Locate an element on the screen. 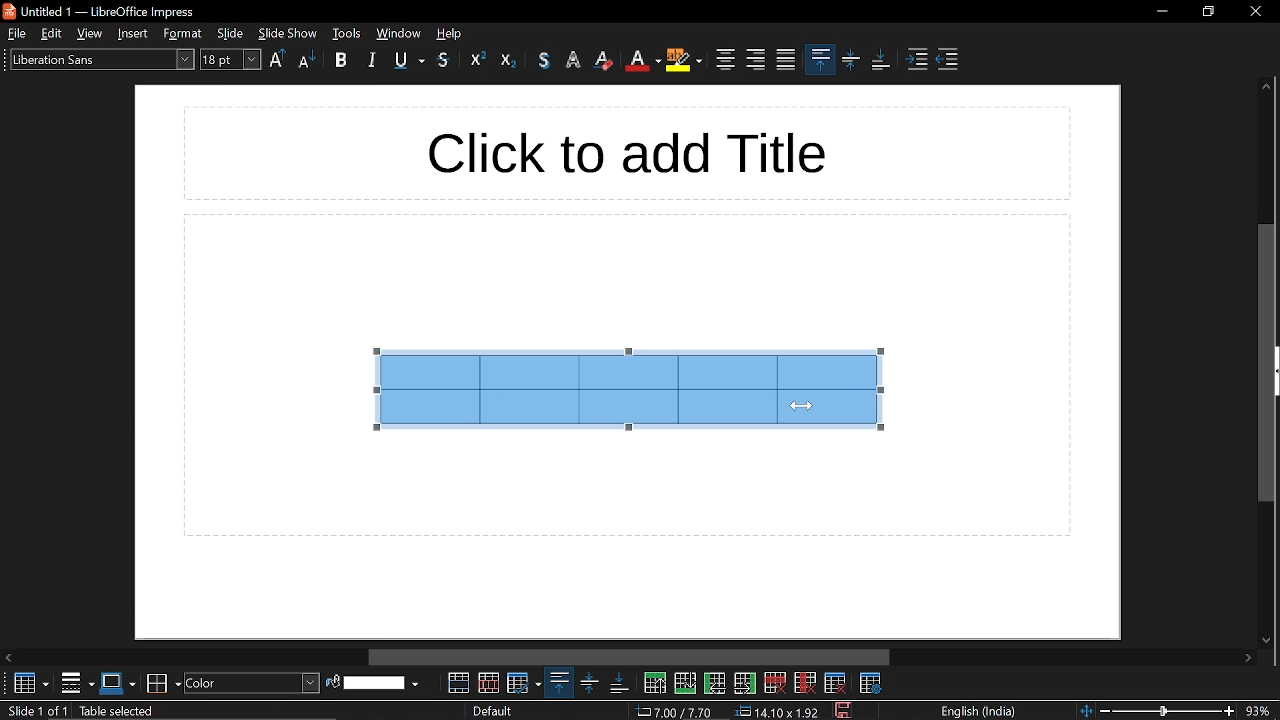 This screenshot has height=720, width=1280. edit is located at coordinates (53, 33).